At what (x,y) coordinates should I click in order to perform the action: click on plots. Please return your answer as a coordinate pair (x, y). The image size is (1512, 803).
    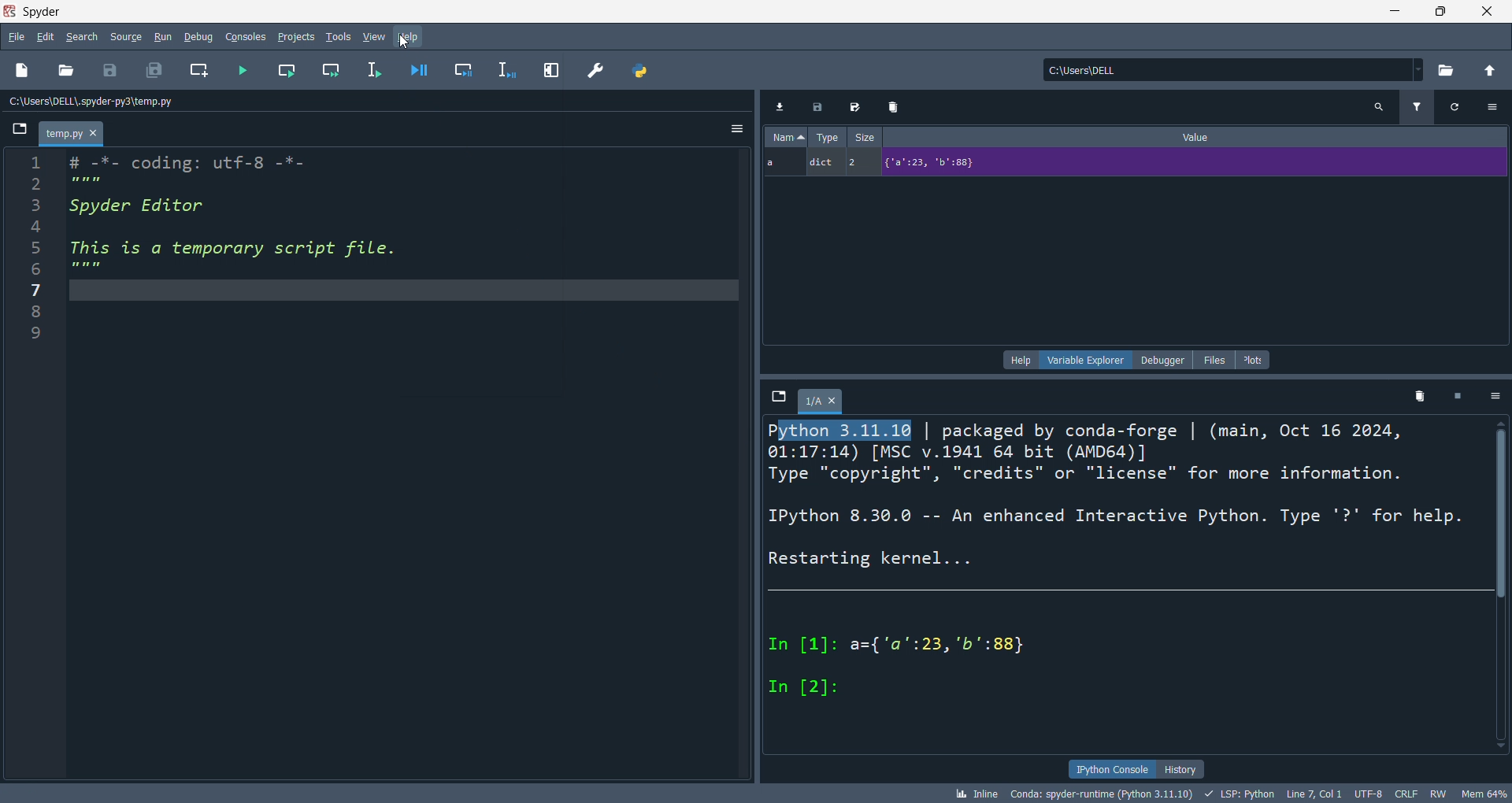
    Looking at the image, I should click on (1255, 361).